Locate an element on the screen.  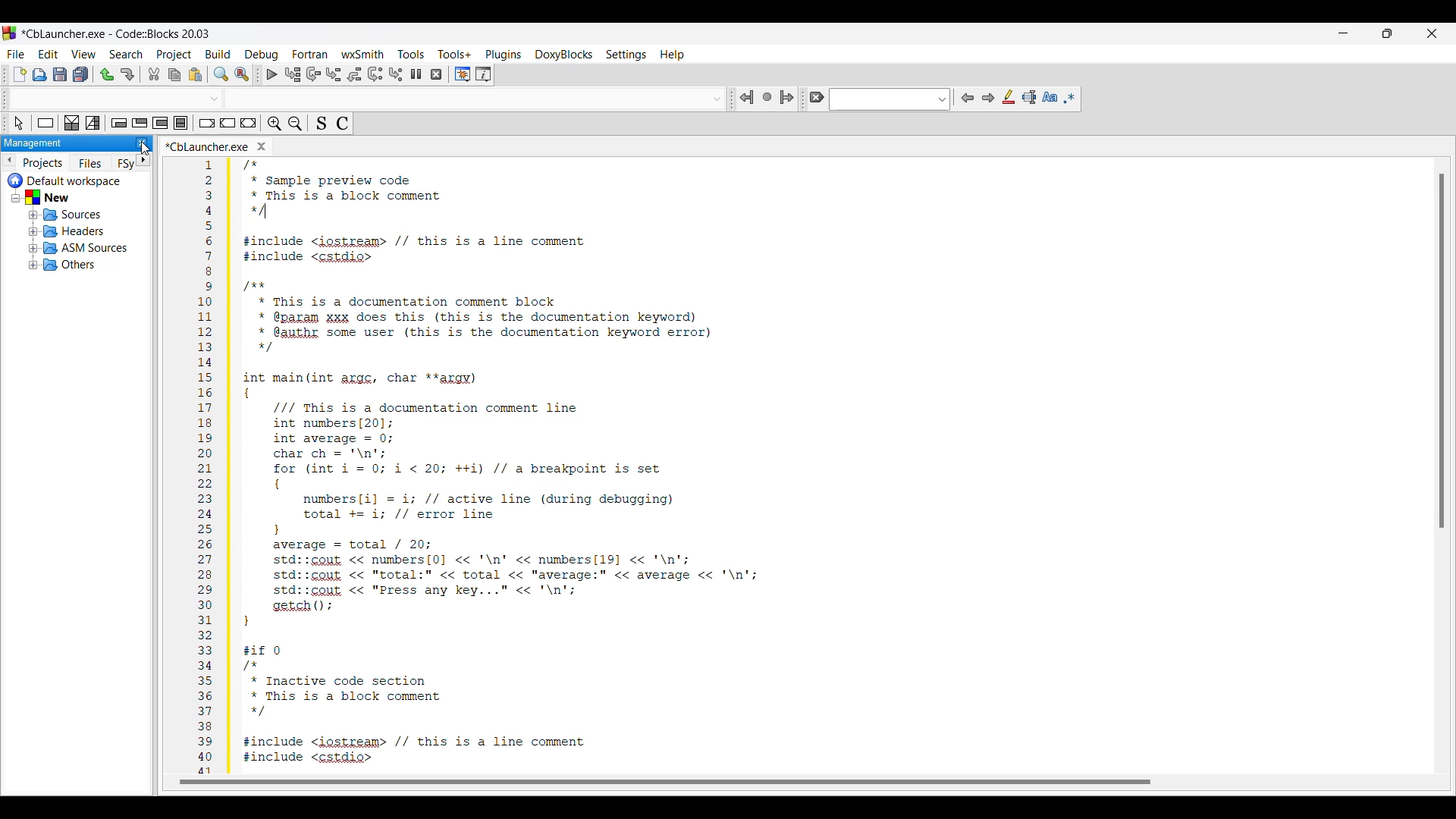
Run to cursor is located at coordinates (293, 74).